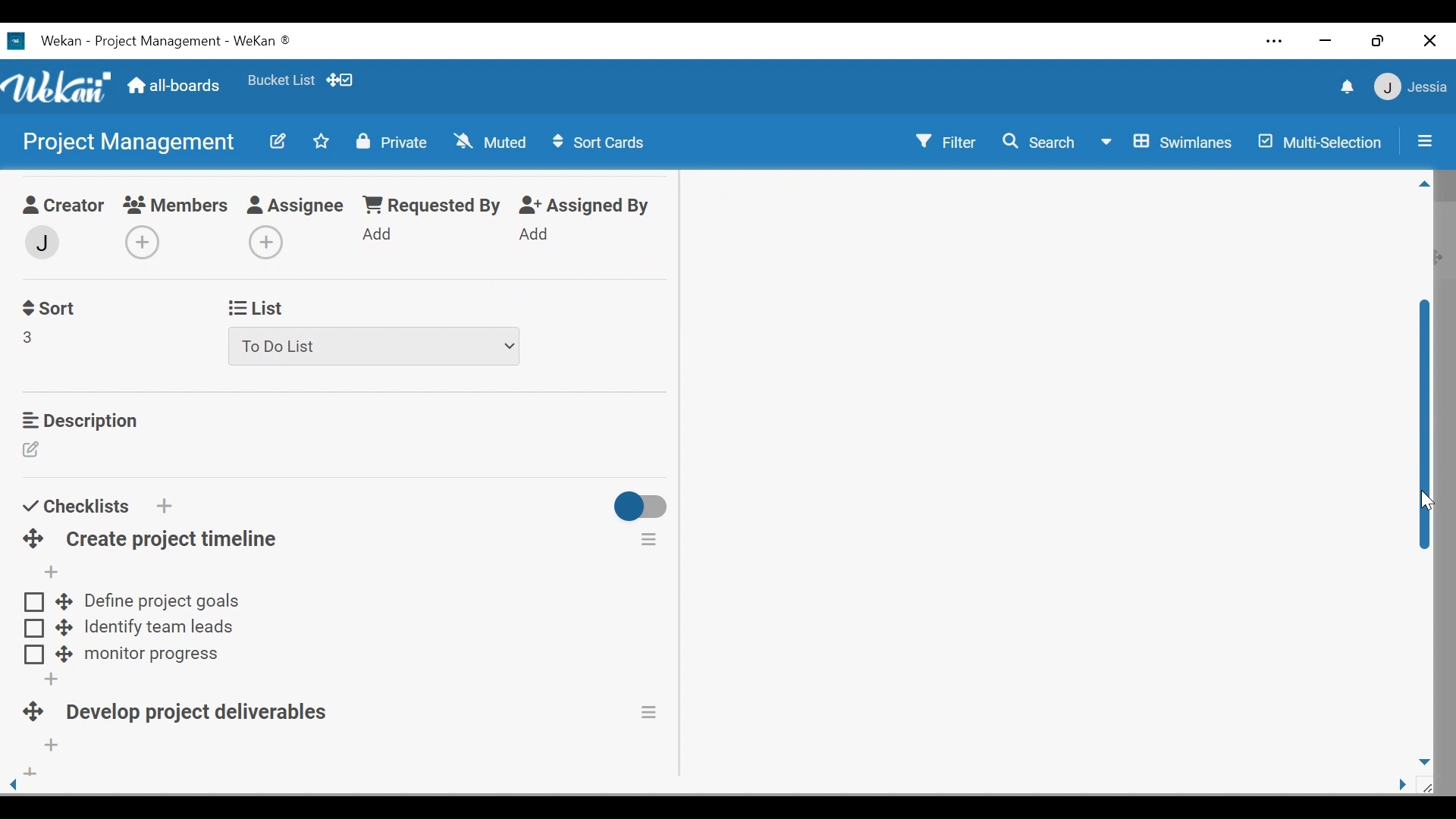 This screenshot has height=819, width=1456. What do you see at coordinates (1170, 143) in the screenshot?
I see `Board View` at bounding box center [1170, 143].